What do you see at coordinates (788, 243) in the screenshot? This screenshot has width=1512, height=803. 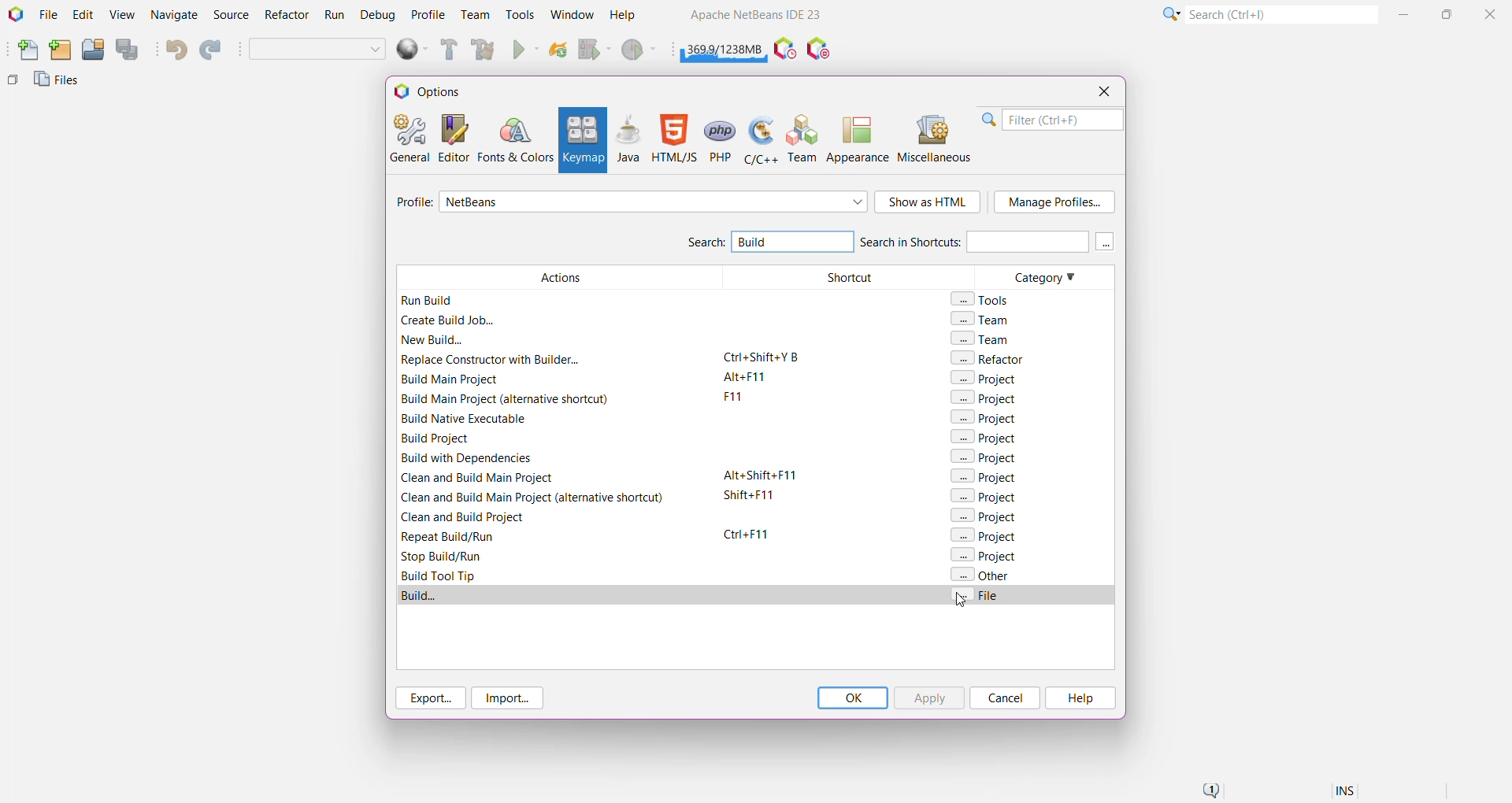 I see `Type 'Build' to search for Build Action` at bounding box center [788, 243].